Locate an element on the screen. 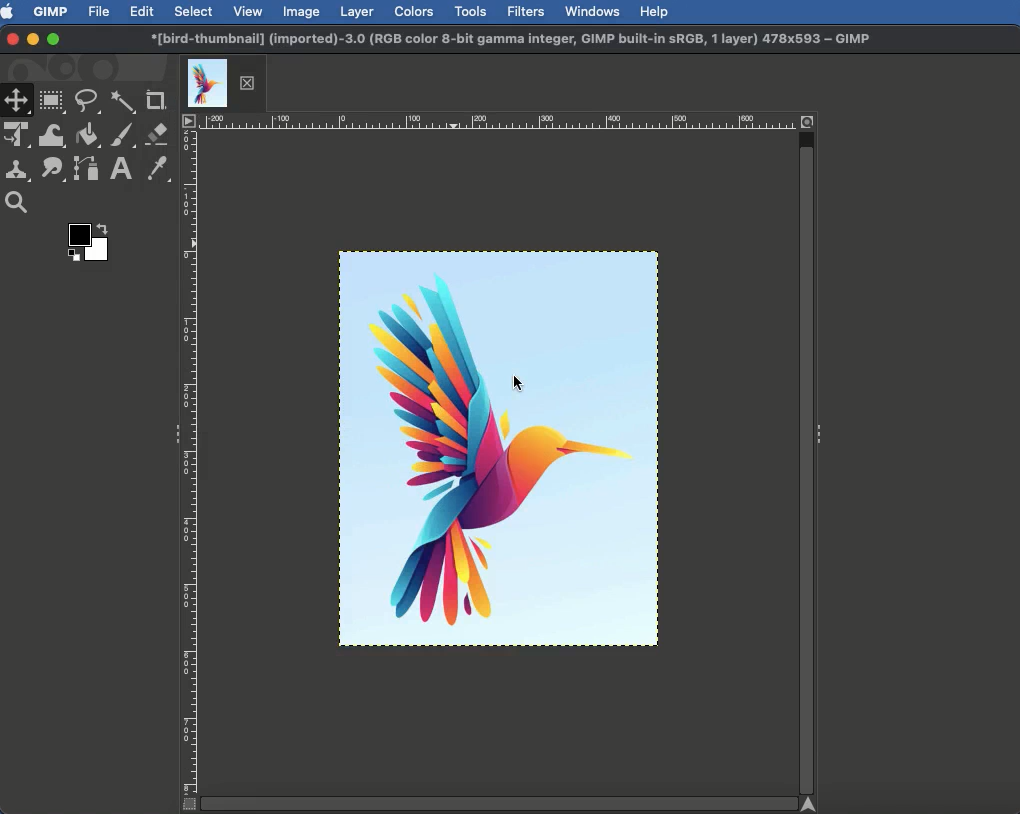  Warp transformation is located at coordinates (53, 134).